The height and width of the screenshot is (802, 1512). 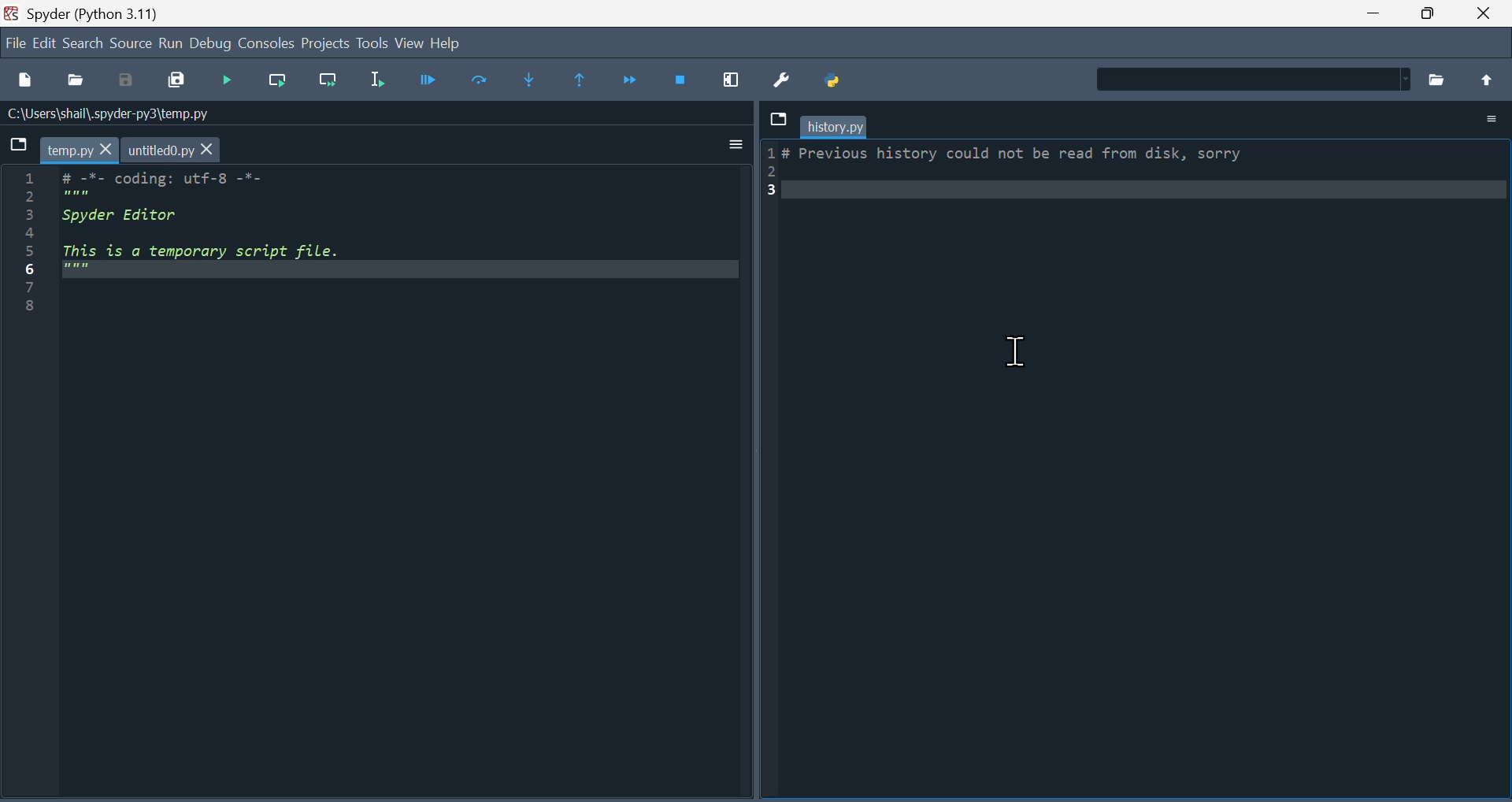 I want to click on Continue execution until next function, so click(x=633, y=80).